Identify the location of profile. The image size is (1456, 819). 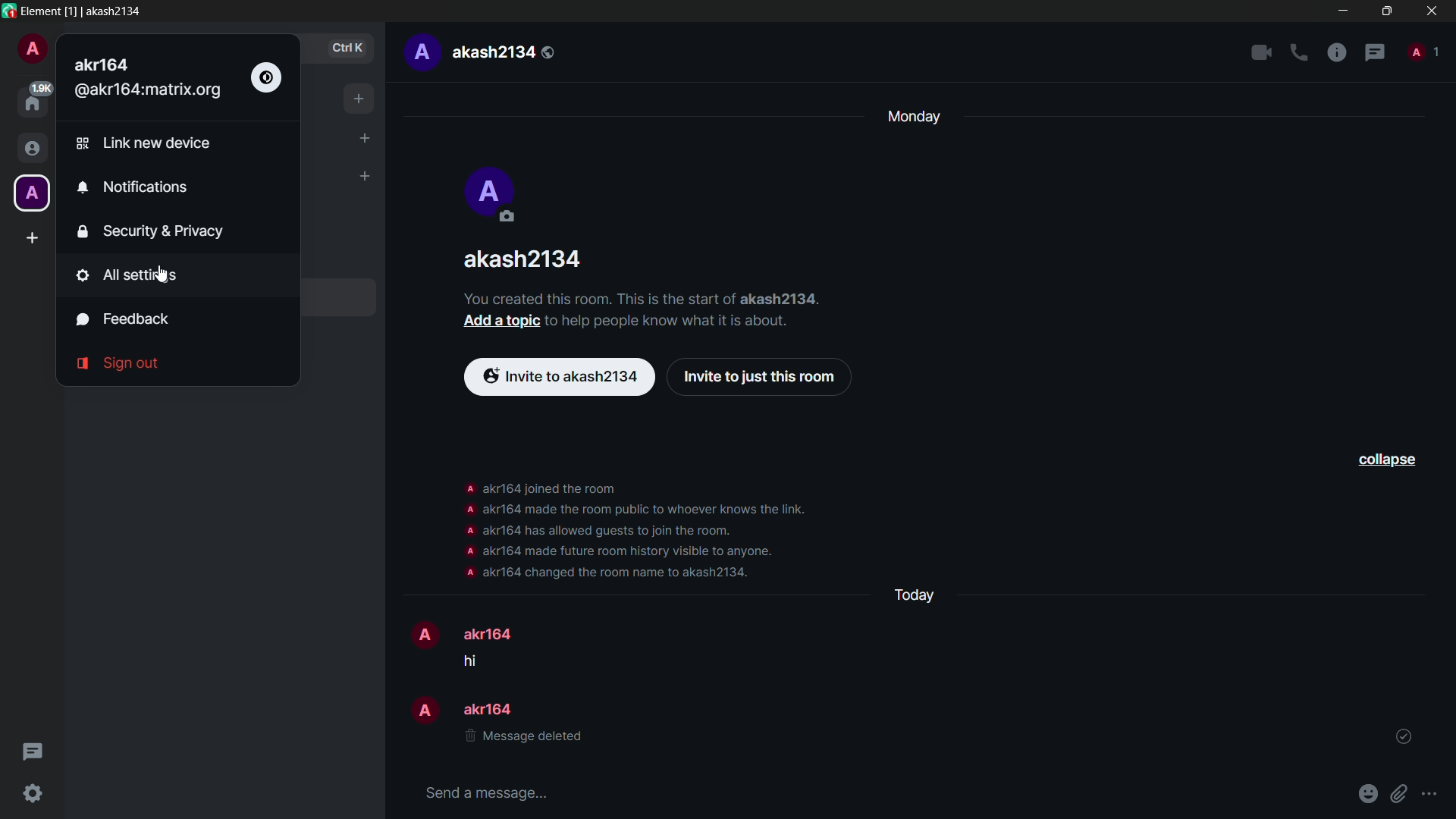
(32, 51).